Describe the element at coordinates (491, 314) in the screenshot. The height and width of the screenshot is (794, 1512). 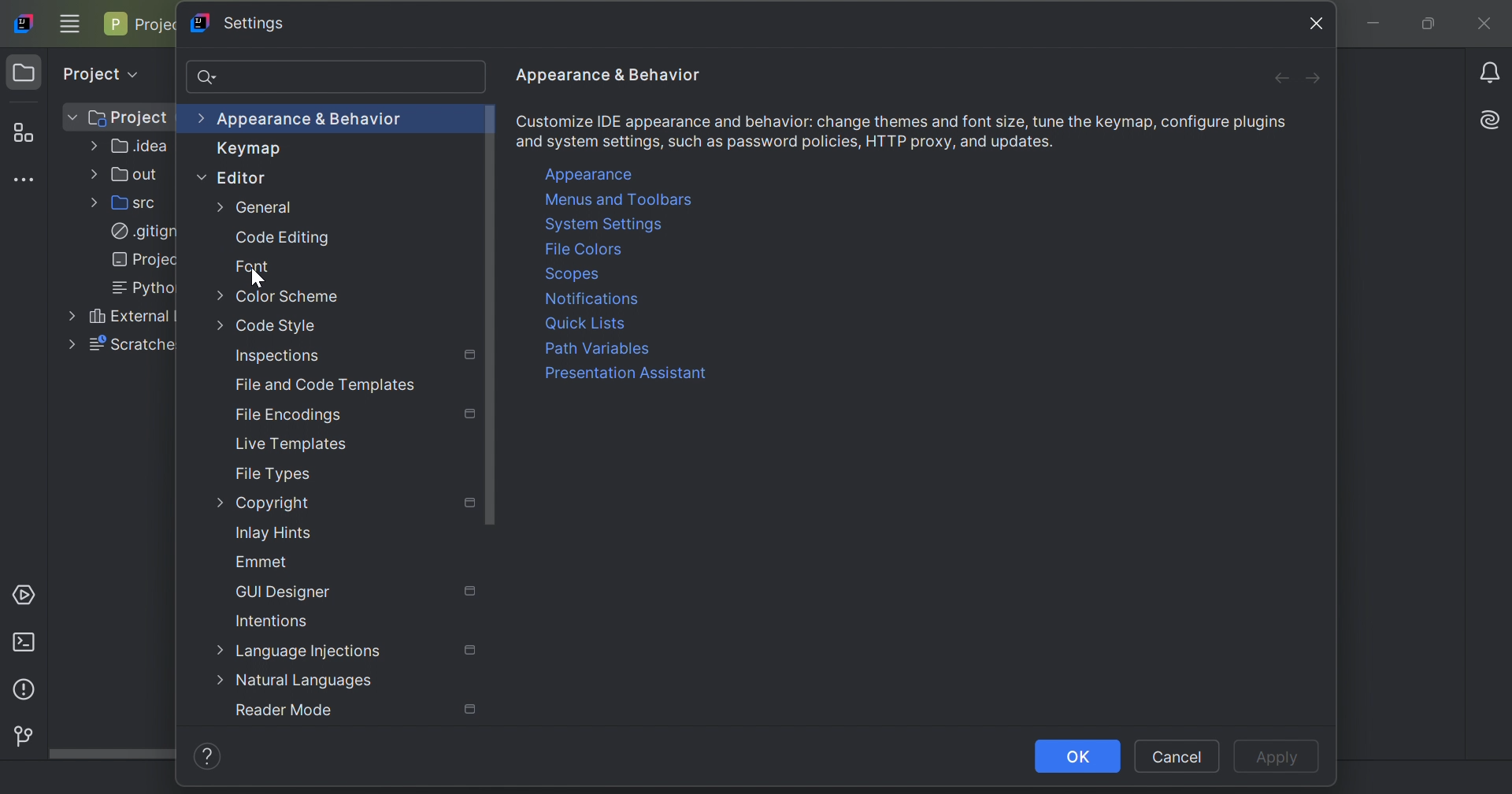
I see `Scroll bar` at that location.